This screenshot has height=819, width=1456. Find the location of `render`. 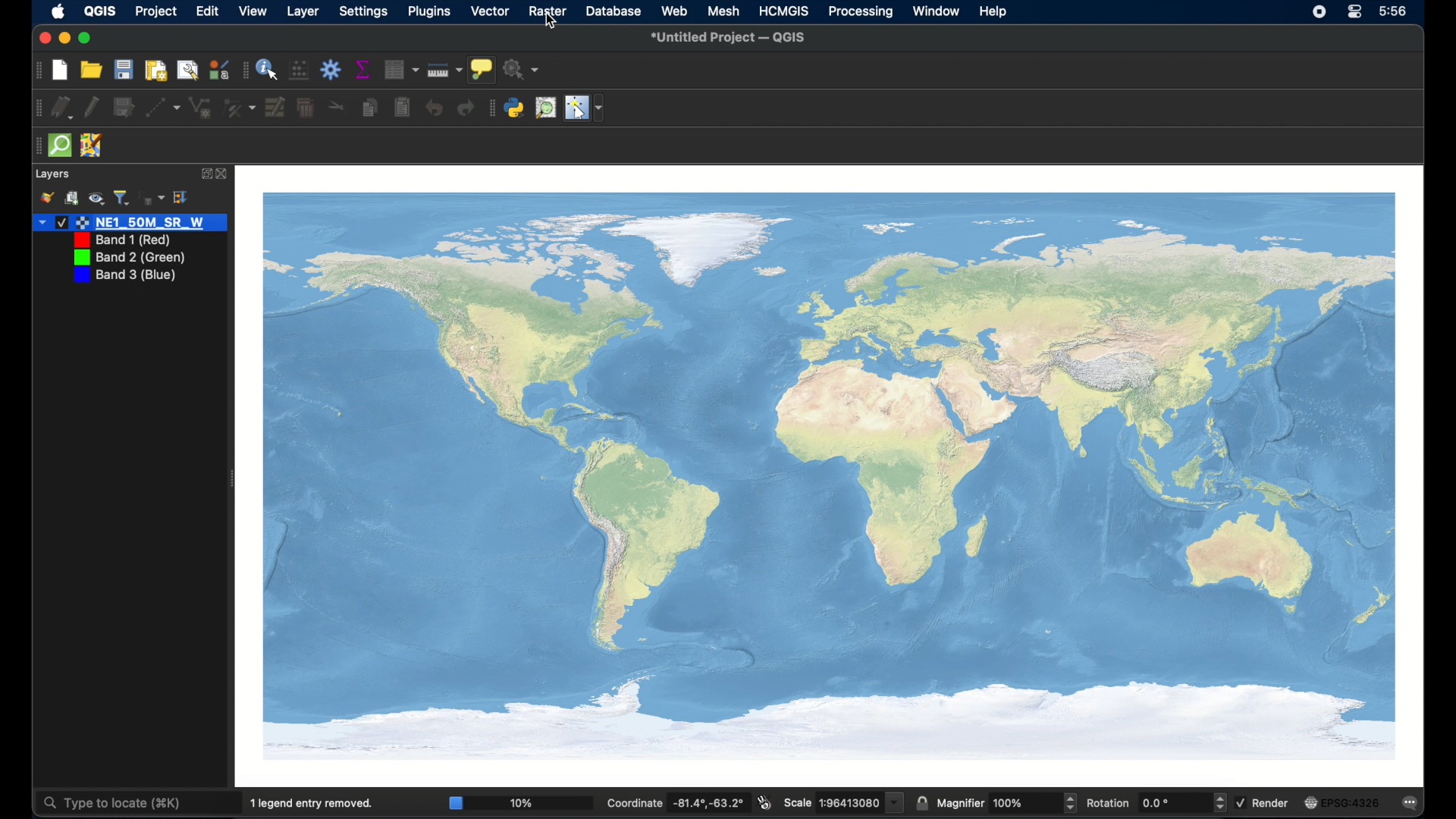

render is located at coordinates (1262, 802).